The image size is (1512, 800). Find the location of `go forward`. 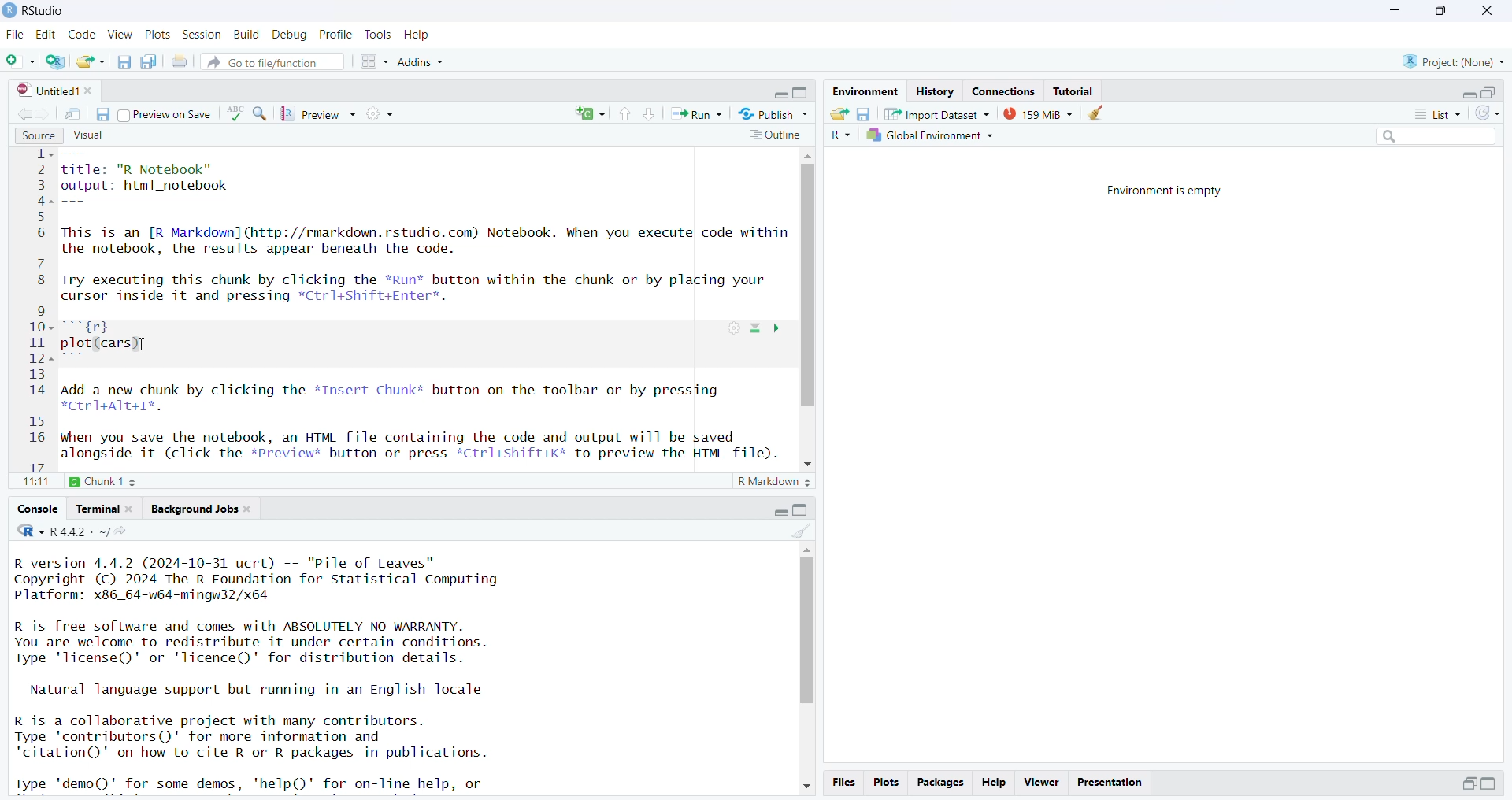

go forward is located at coordinates (46, 113).